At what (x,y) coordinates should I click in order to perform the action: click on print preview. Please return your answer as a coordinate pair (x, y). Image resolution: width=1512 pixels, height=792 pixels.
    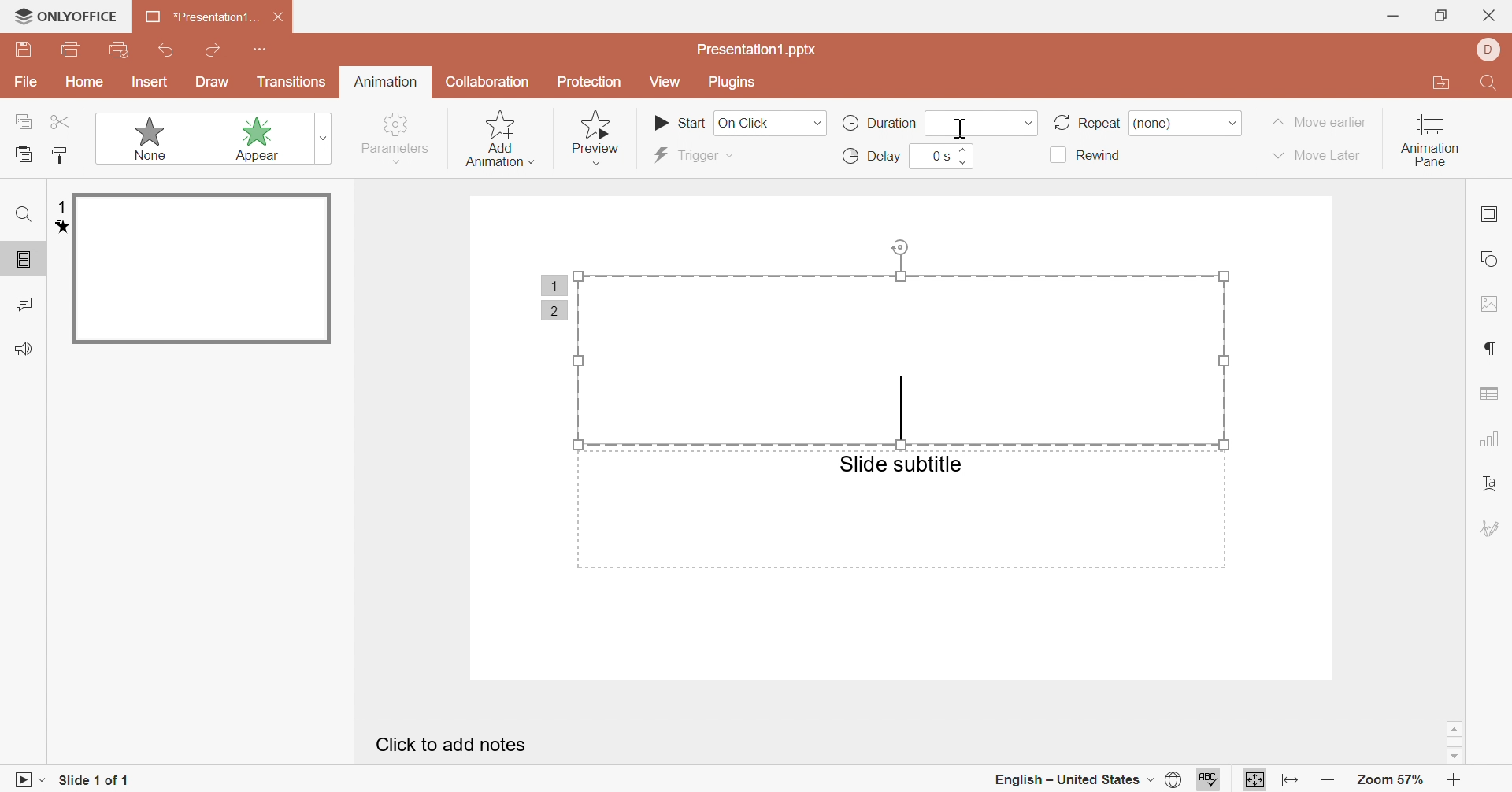
    Looking at the image, I should click on (121, 50).